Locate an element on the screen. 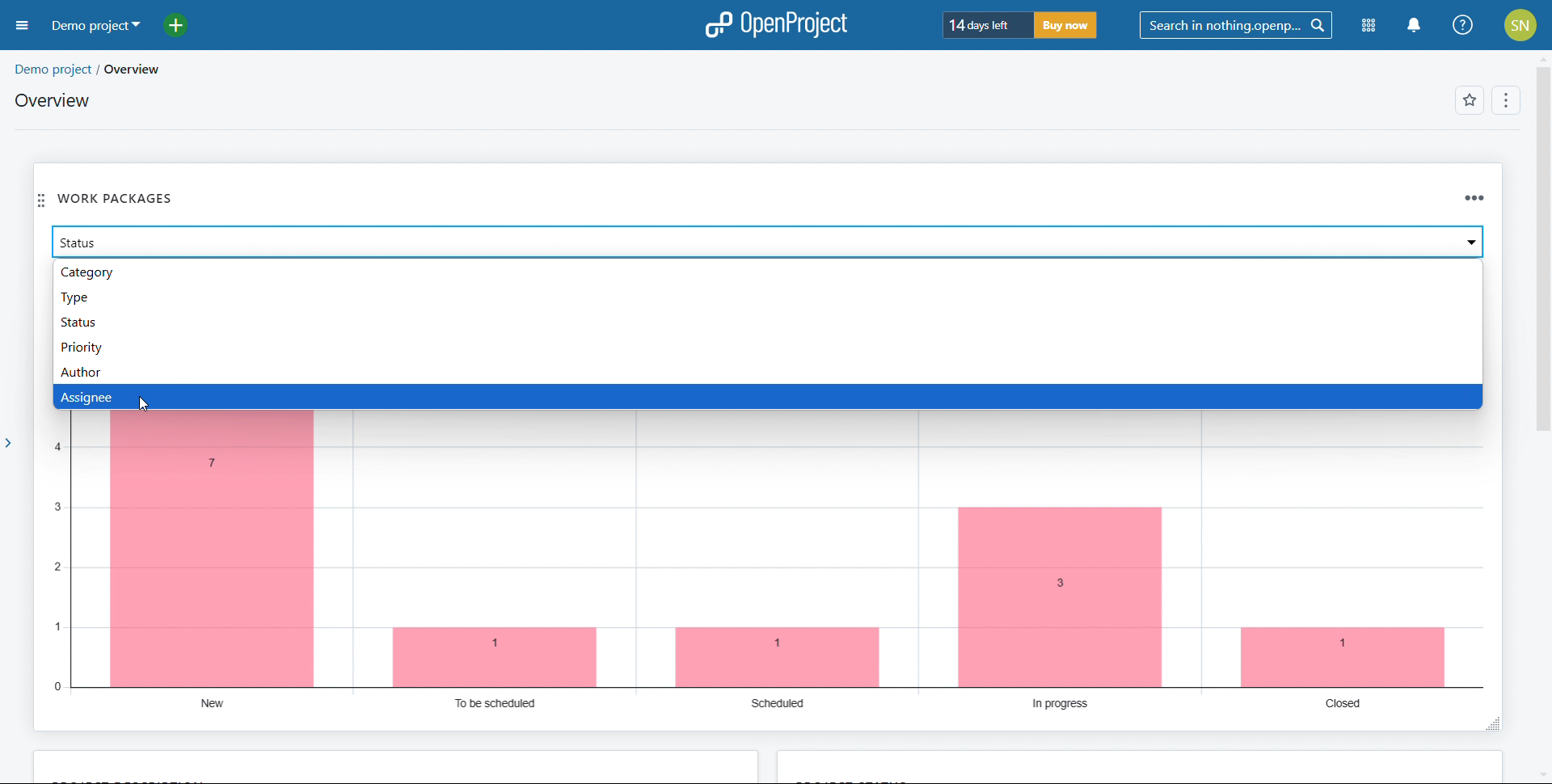 Image resolution: width=1552 pixels, height=784 pixels. cursor is located at coordinates (140, 403).